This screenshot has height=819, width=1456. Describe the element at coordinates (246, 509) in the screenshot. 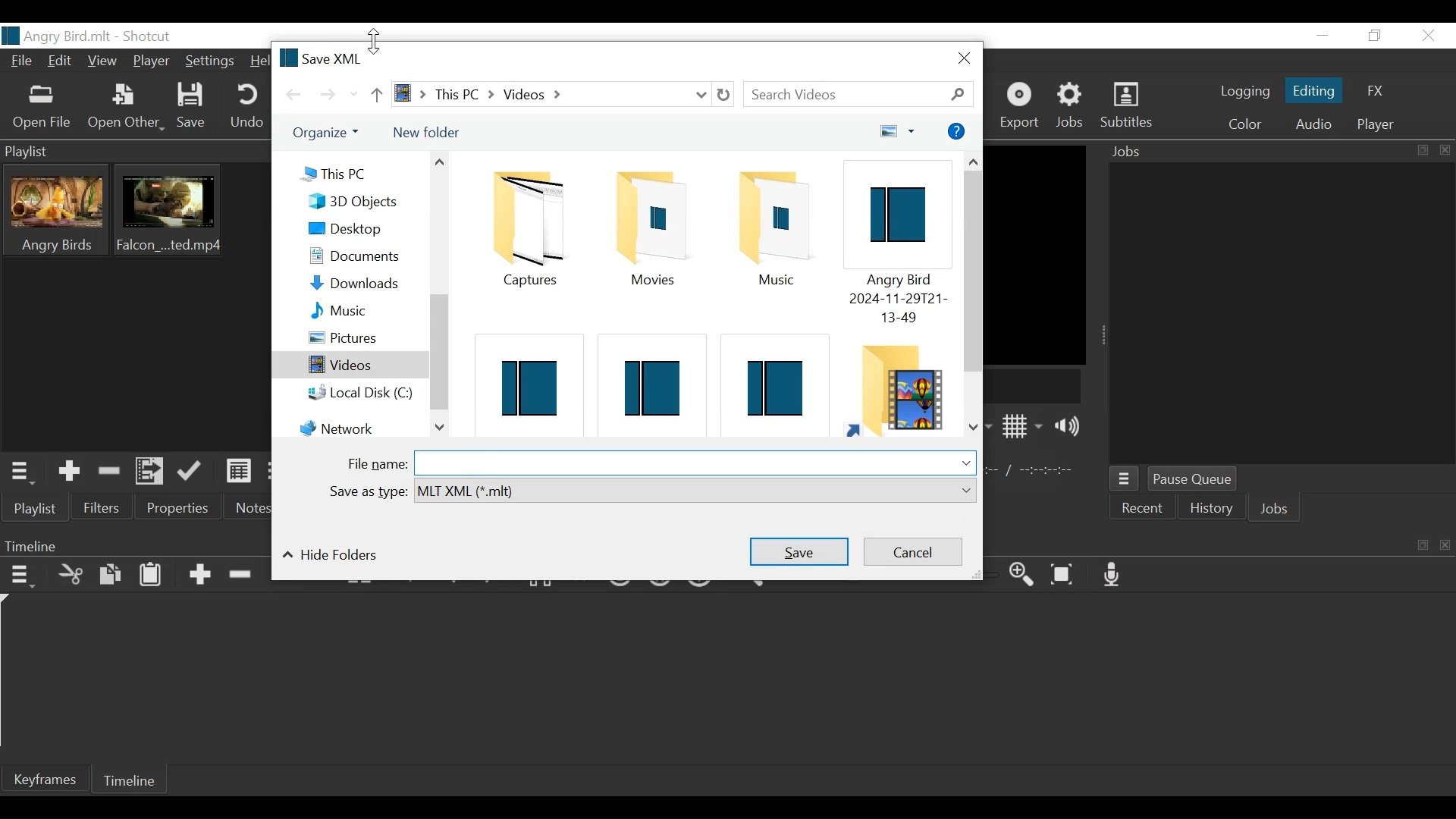

I see `Notes` at that location.